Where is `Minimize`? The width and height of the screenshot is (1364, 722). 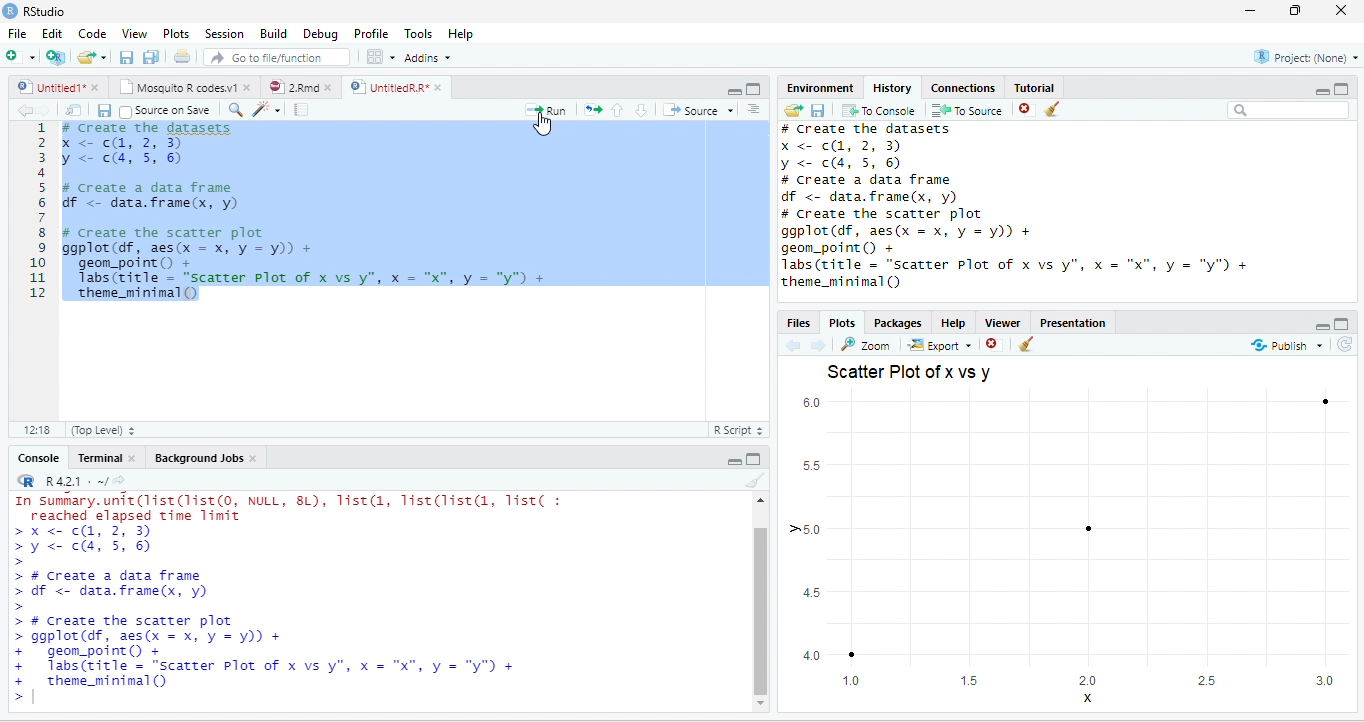
Minimize is located at coordinates (1322, 91).